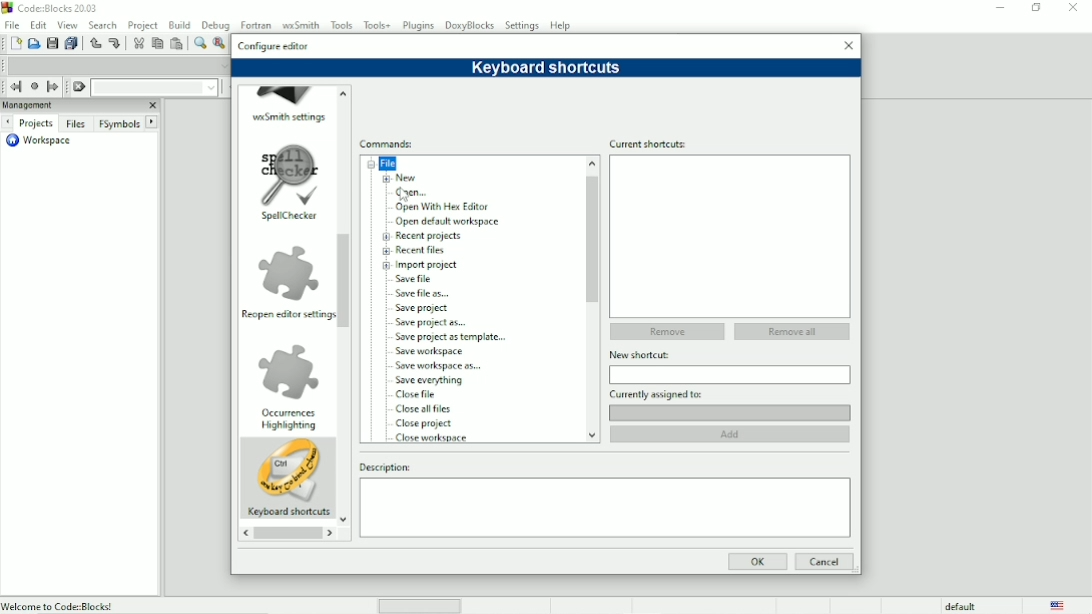  I want to click on Last jump, so click(33, 86).